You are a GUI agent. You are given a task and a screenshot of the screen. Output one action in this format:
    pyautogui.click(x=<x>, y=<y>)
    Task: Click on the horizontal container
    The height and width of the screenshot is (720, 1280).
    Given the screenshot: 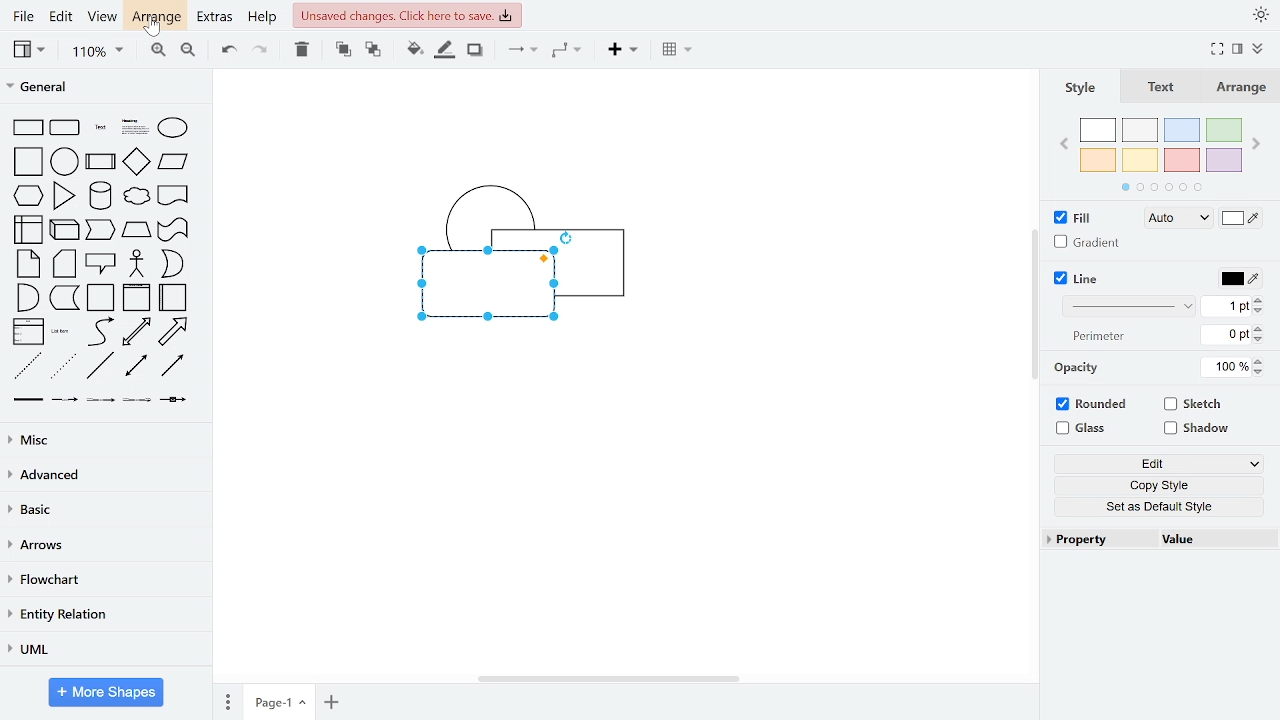 What is the action you would take?
    pyautogui.click(x=172, y=298)
    